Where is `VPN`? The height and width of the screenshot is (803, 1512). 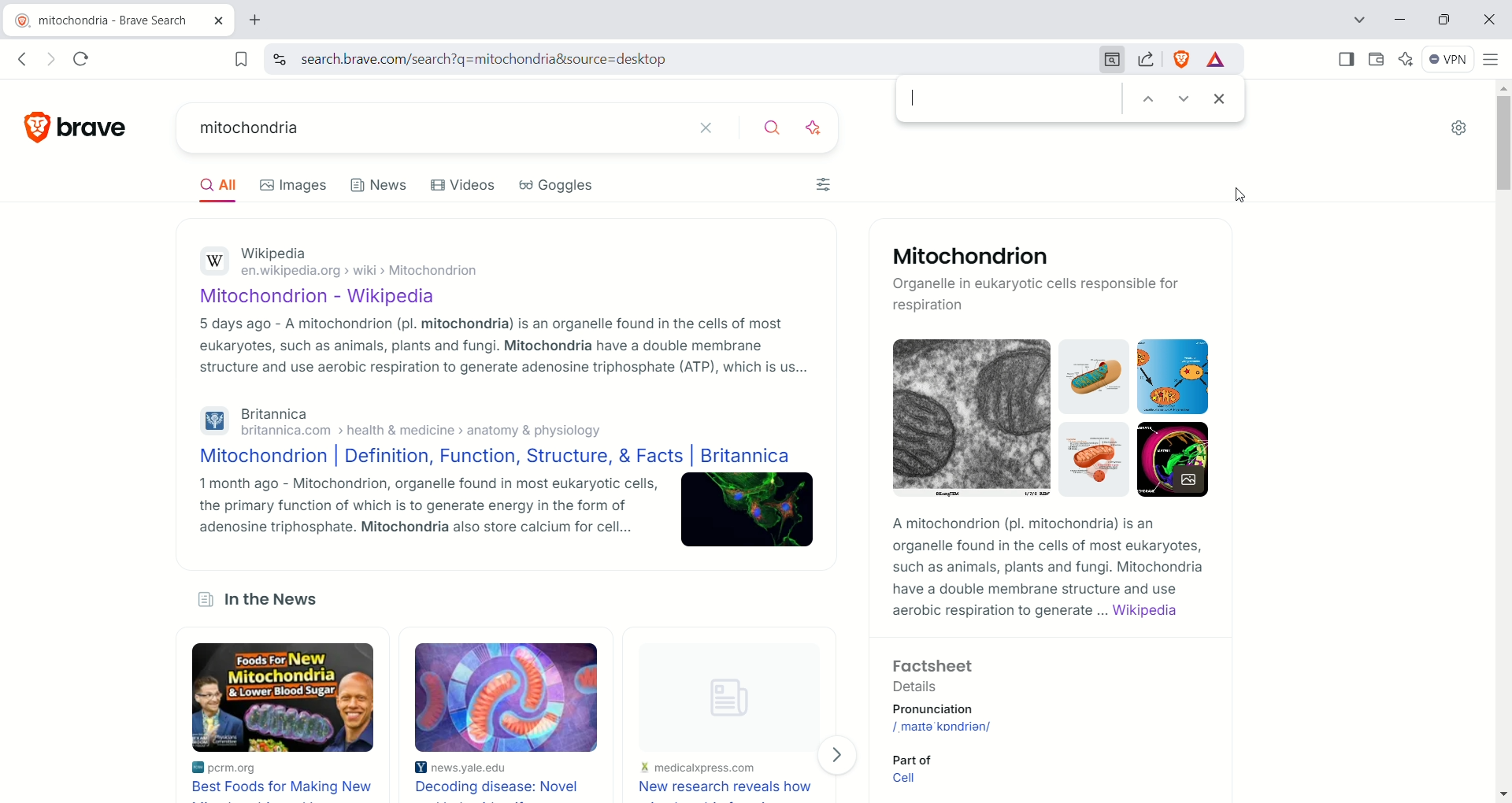
VPN is located at coordinates (1452, 61).